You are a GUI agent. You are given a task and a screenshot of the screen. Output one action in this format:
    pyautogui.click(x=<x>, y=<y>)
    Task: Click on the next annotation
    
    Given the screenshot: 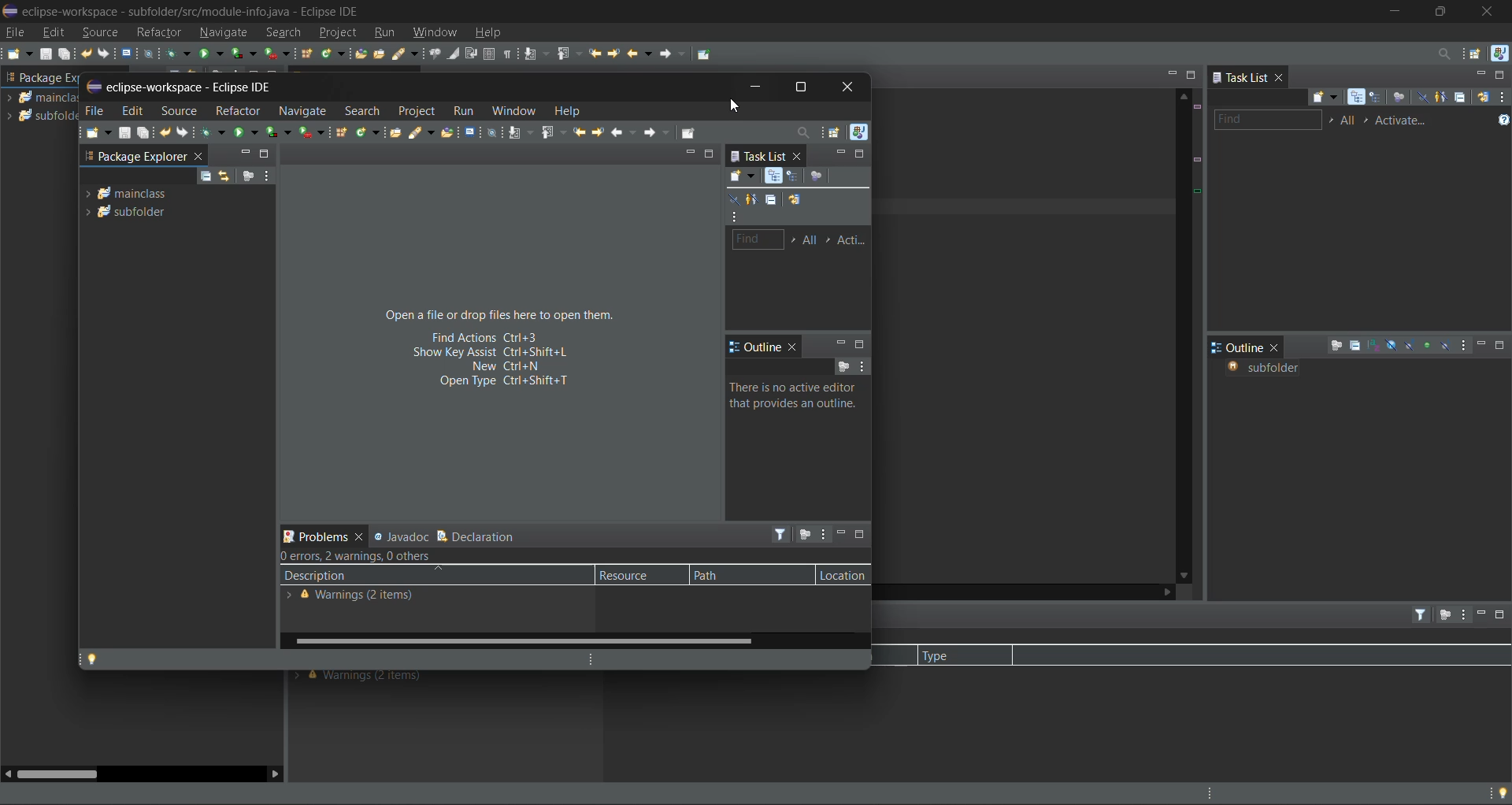 What is the action you would take?
    pyautogui.click(x=524, y=134)
    